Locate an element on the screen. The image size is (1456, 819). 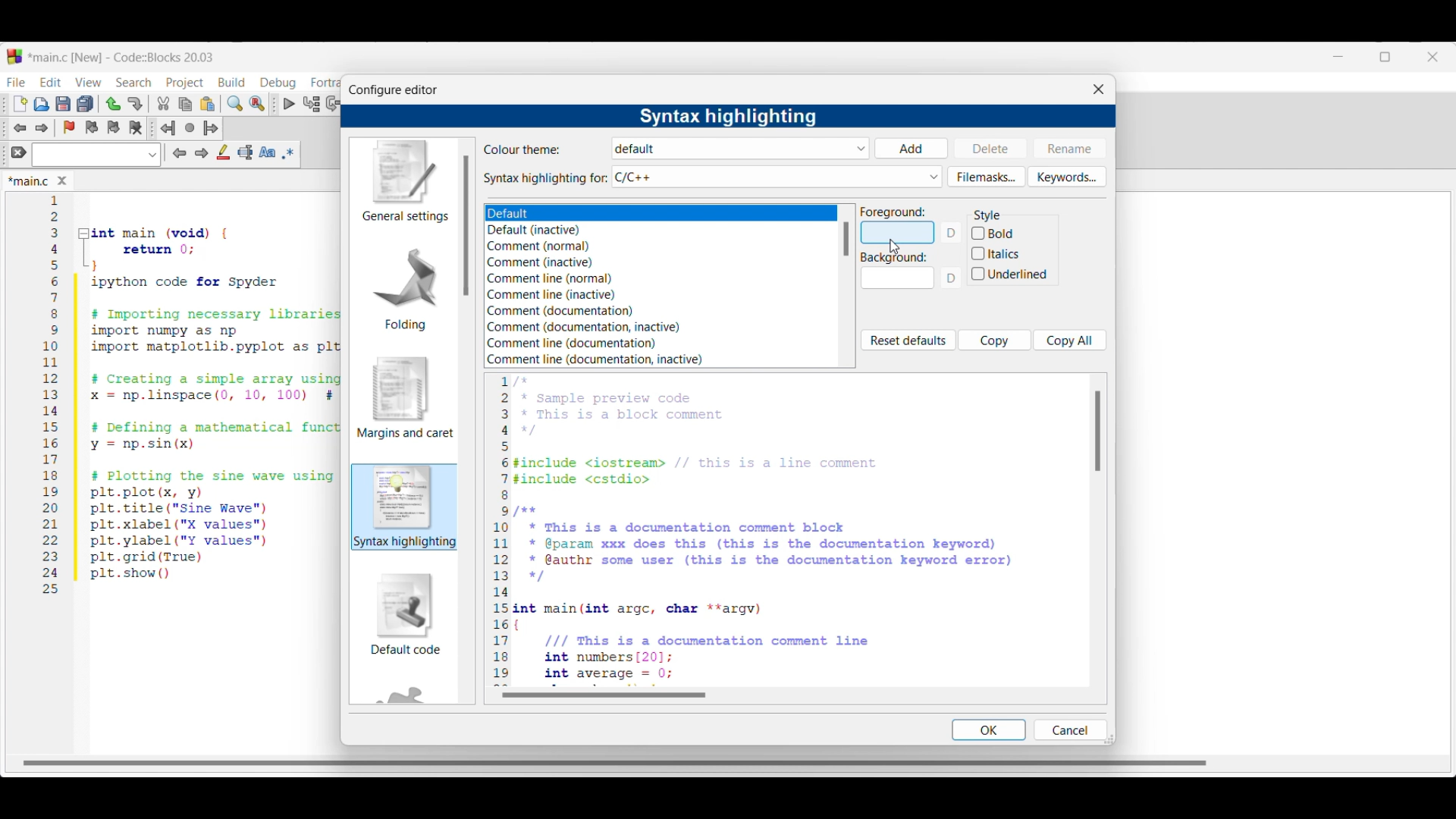
Default inactive is located at coordinates (543, 231).